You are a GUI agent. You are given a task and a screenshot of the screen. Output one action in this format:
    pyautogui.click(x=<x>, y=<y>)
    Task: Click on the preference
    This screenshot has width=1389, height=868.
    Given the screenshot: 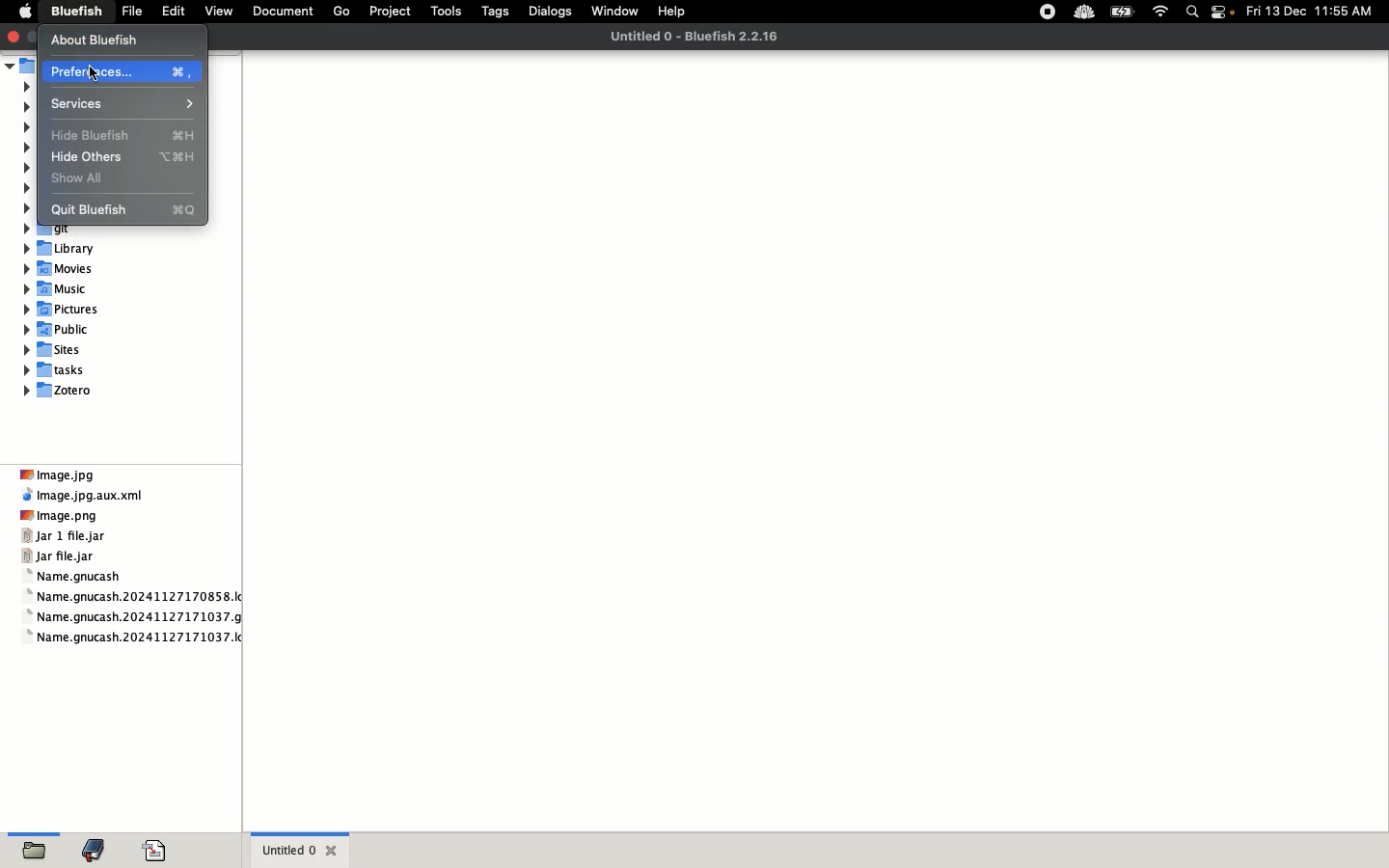 What is the action you would take?
    pyautogui.click(x=120, y=71)
    